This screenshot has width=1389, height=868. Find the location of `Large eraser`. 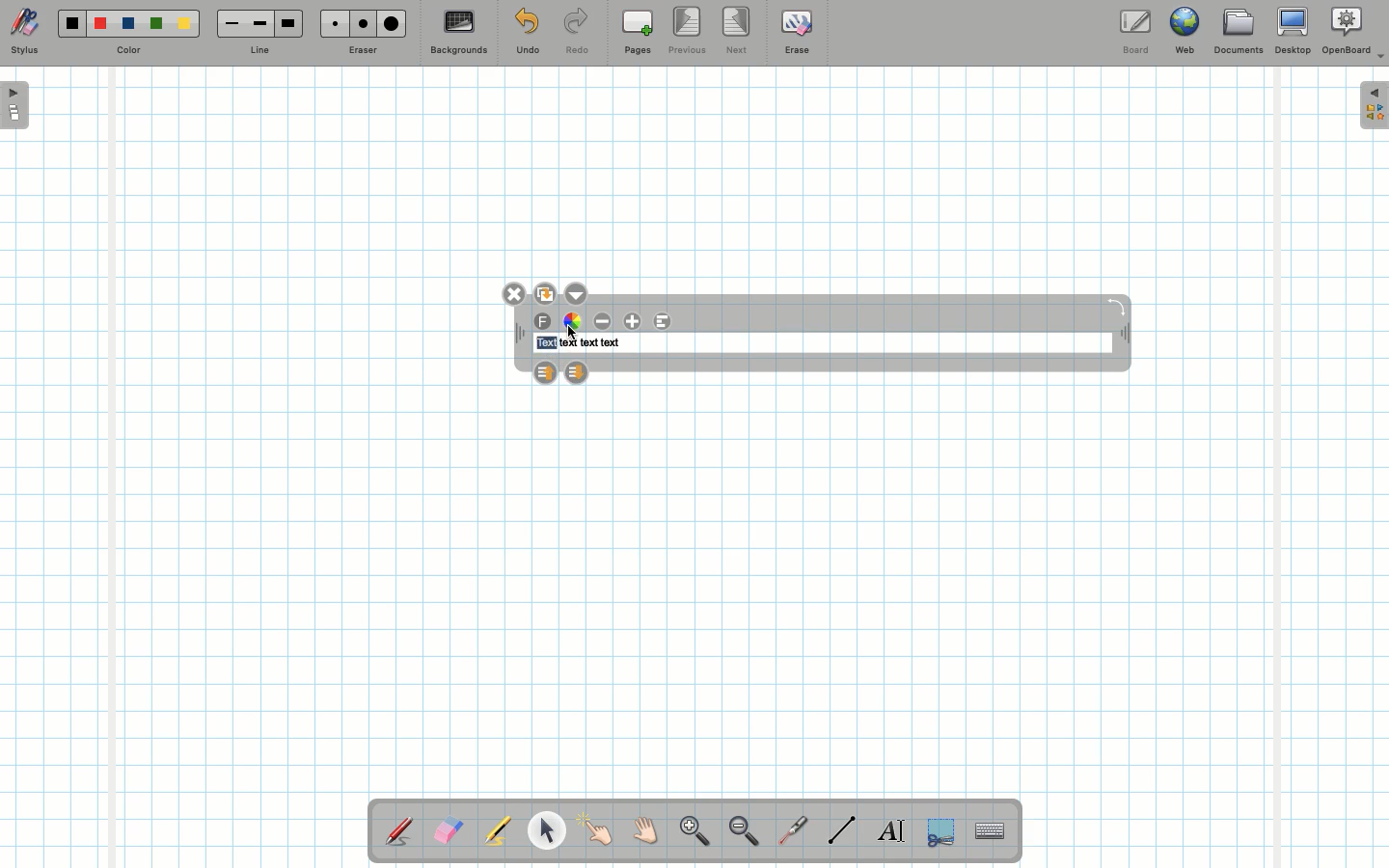

Large eraser is located at coordinates (392, 23).